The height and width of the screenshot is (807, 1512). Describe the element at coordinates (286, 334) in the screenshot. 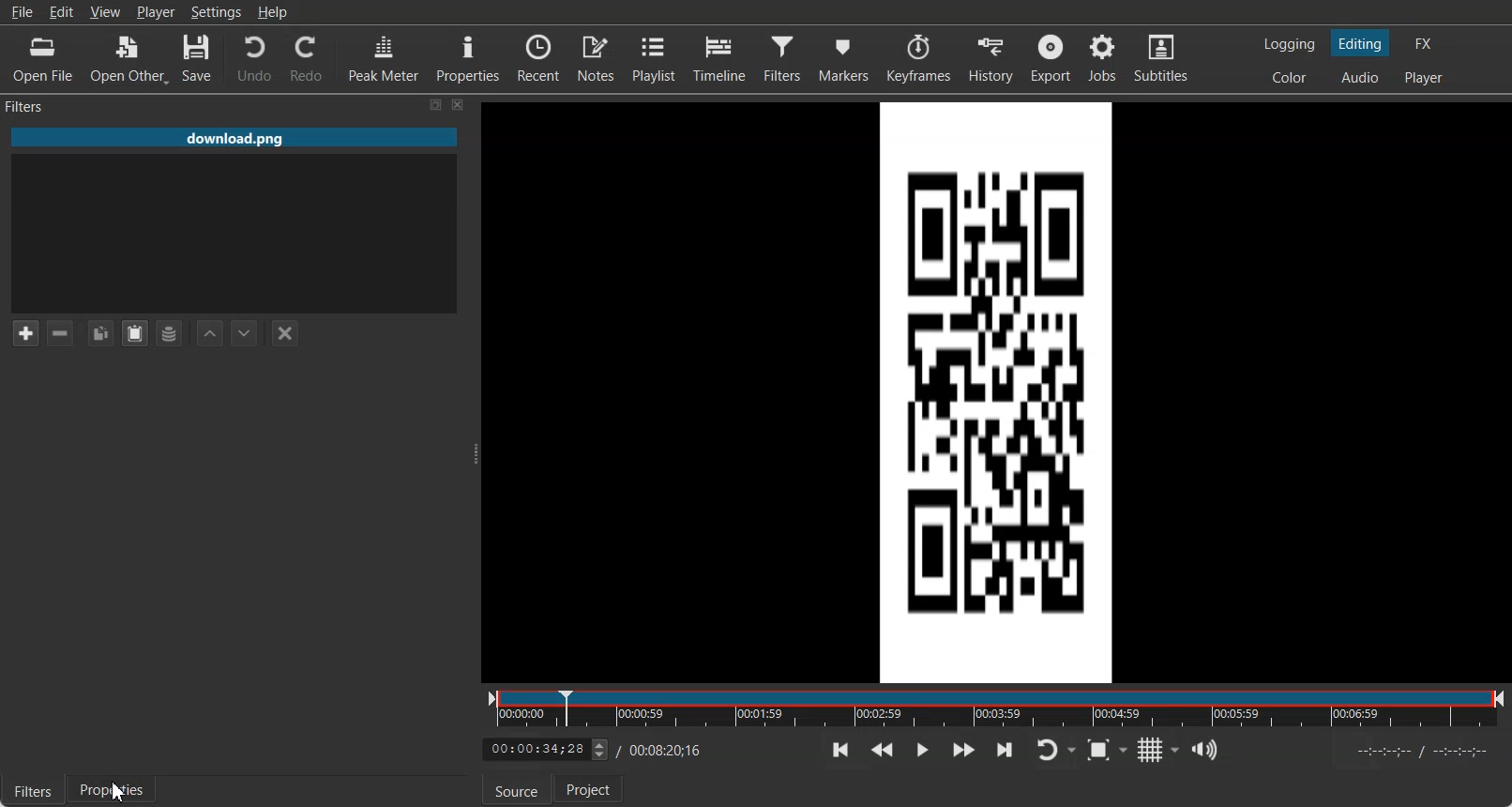

I see `Deselect the filter` at that location.